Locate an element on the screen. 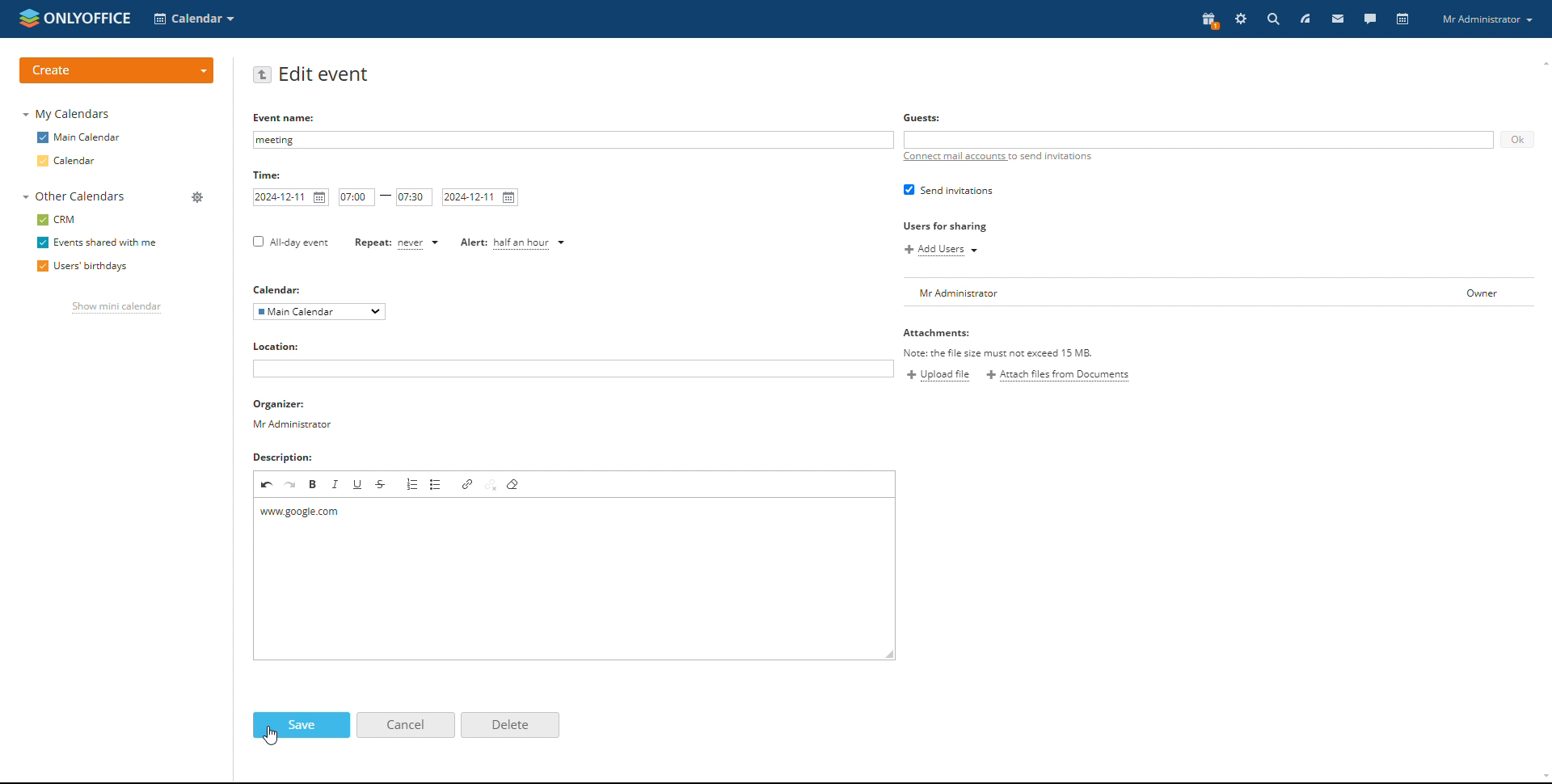  delete is located at coordinates (510, 726).